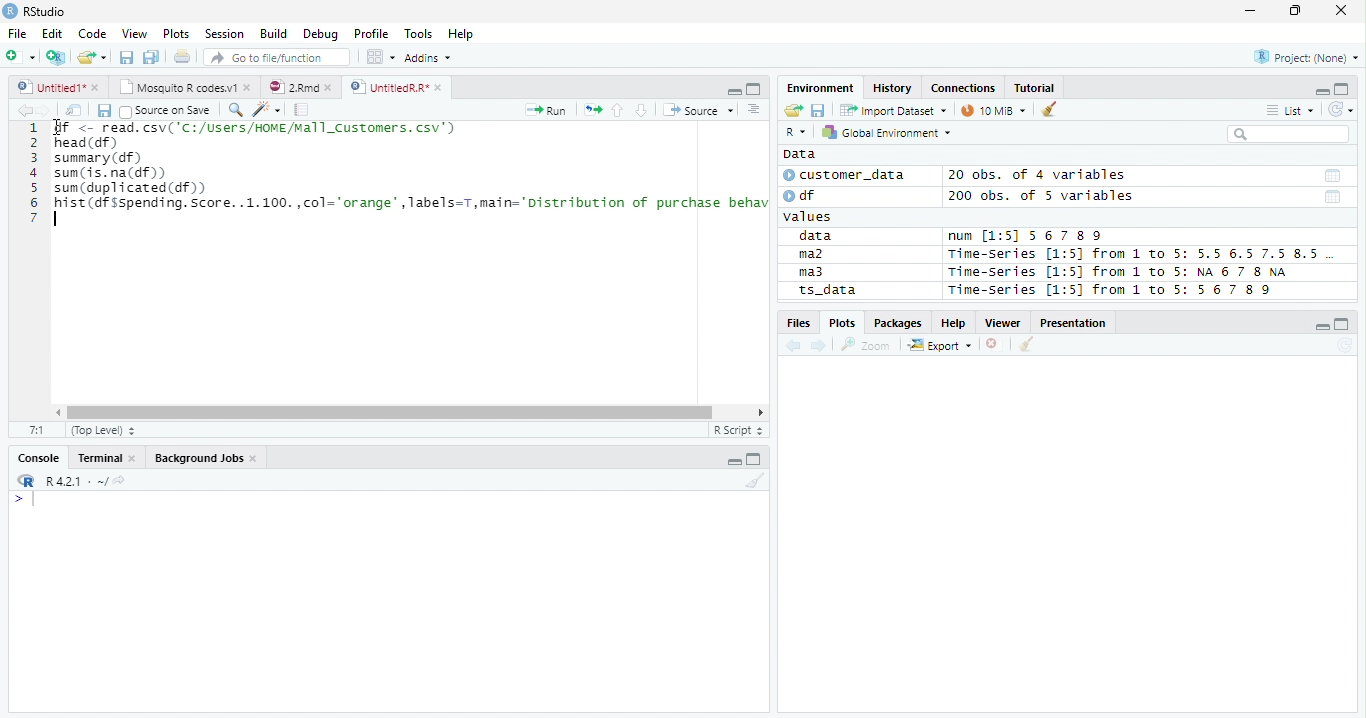 The width and height of the screenshot is (1366, 718). Describe the element at coordinates (1038, 177) in the screenshot. I see `20 obs. of 4 variables` at that location.